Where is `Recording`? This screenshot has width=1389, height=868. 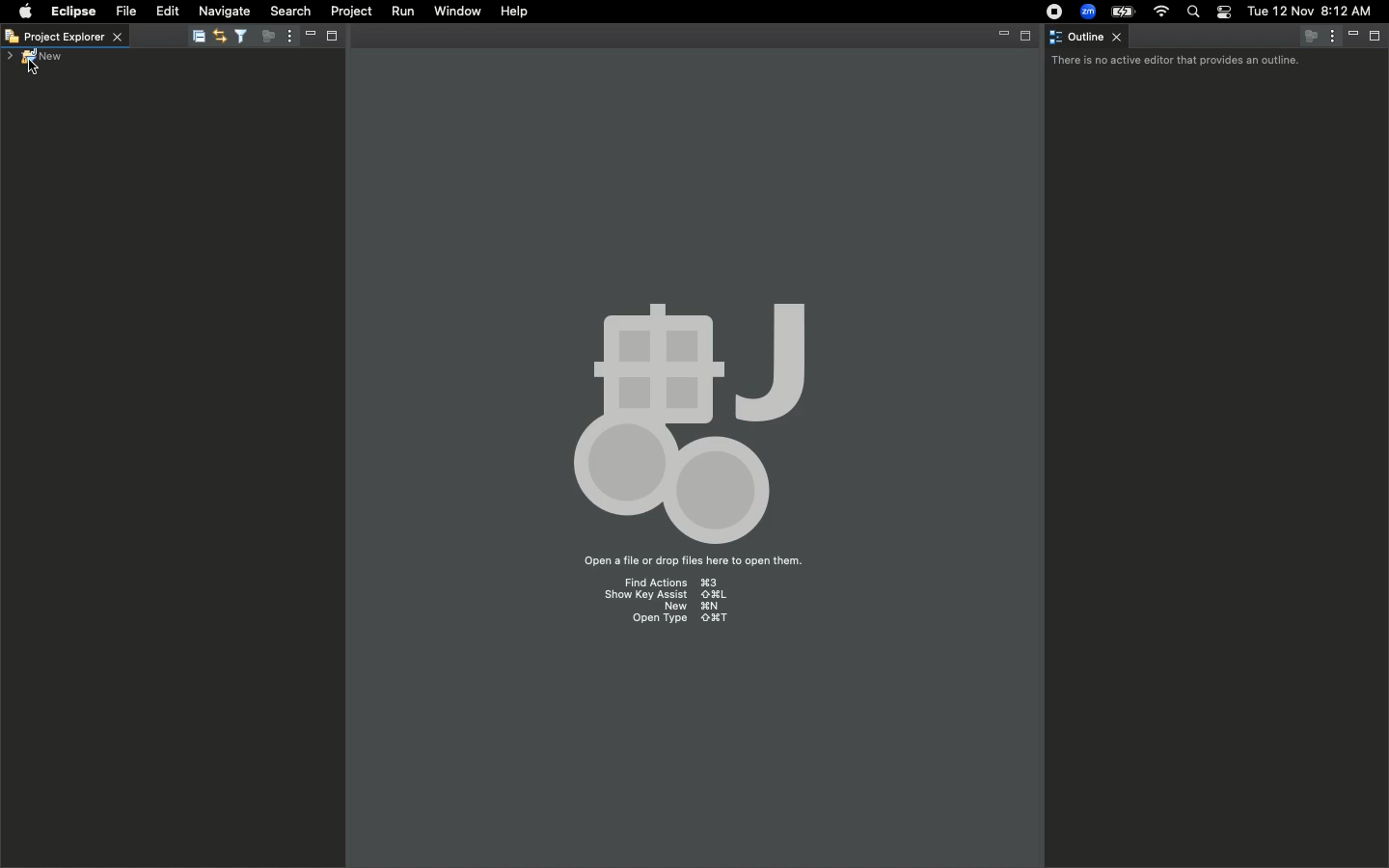
Recording is located at coordinates (1049, 12).